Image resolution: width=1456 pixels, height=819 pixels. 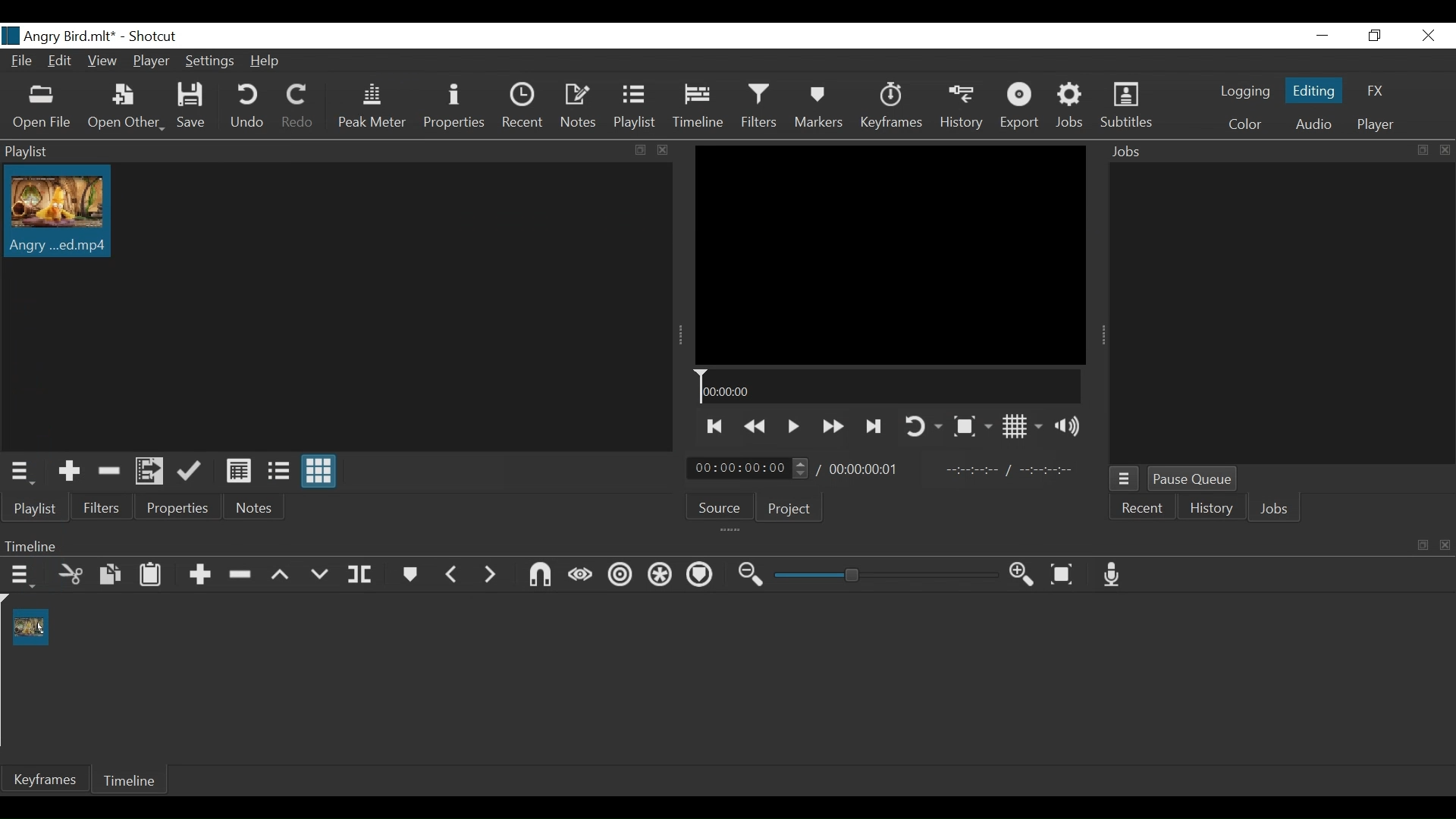 I want to click on Audio, so click(x=1312, y=124).